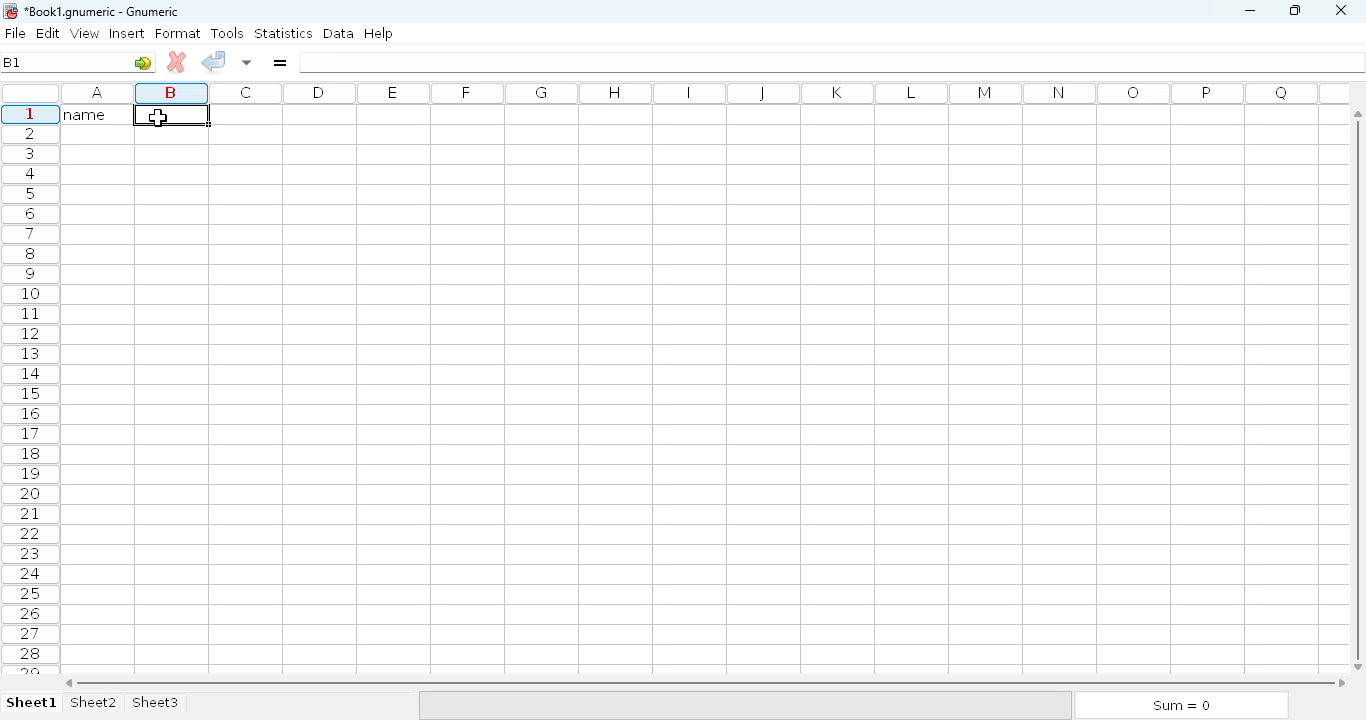 The height and width of the screenshot is (720, 1366). Describe the element at coordinates (16, 61) in the screenshot. I see `B1` at that location.